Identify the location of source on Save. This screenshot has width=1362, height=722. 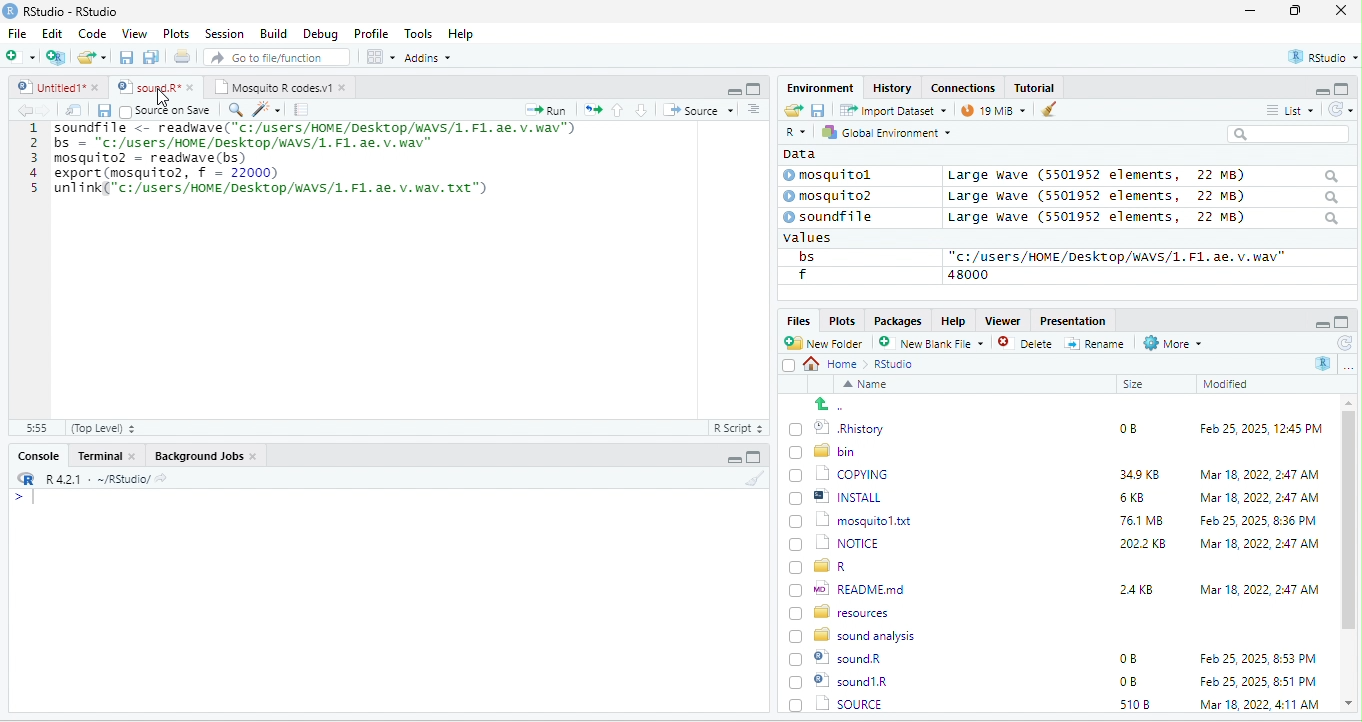
(167, 112).